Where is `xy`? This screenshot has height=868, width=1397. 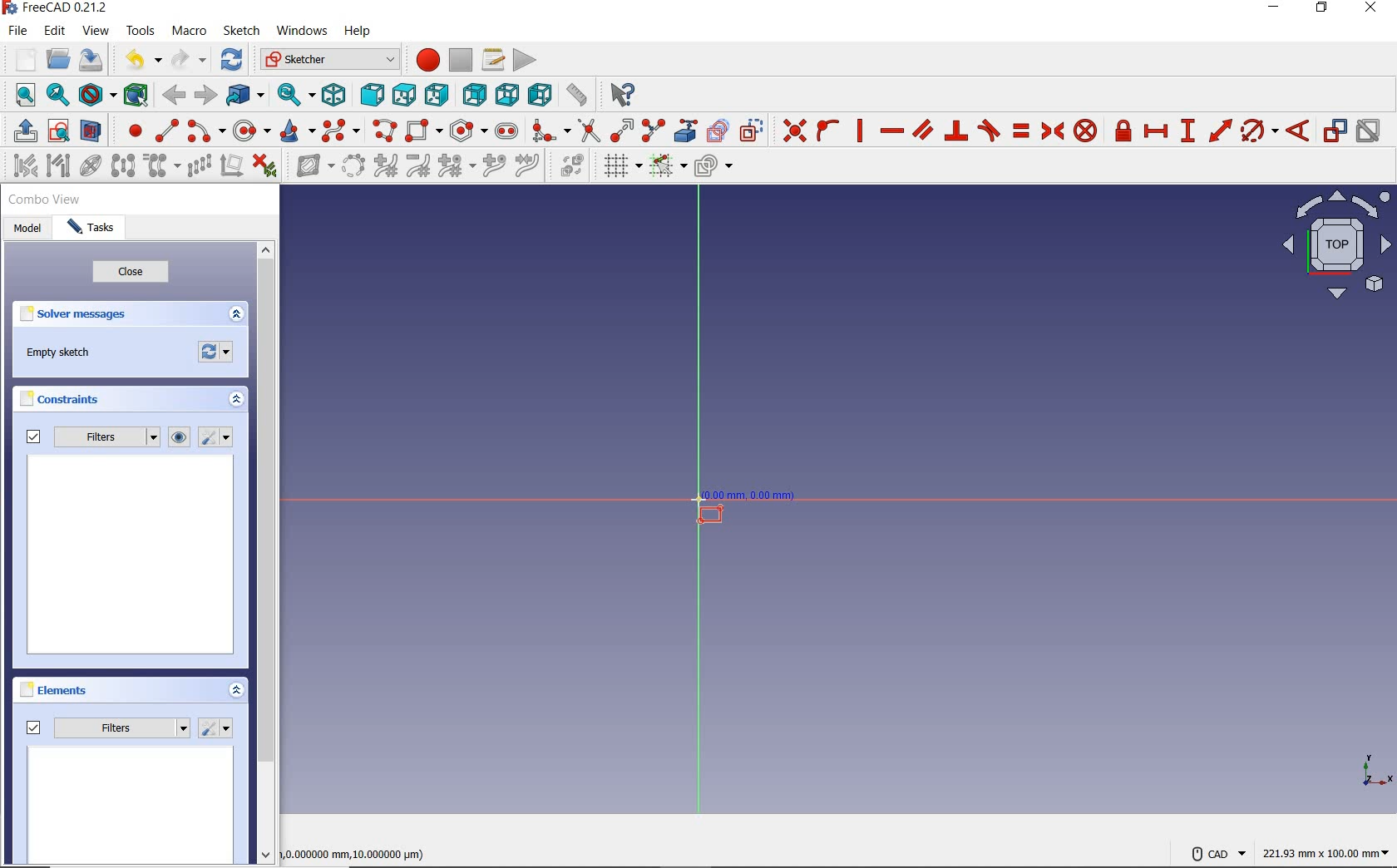
xy is located at coordinates (1366, 769).